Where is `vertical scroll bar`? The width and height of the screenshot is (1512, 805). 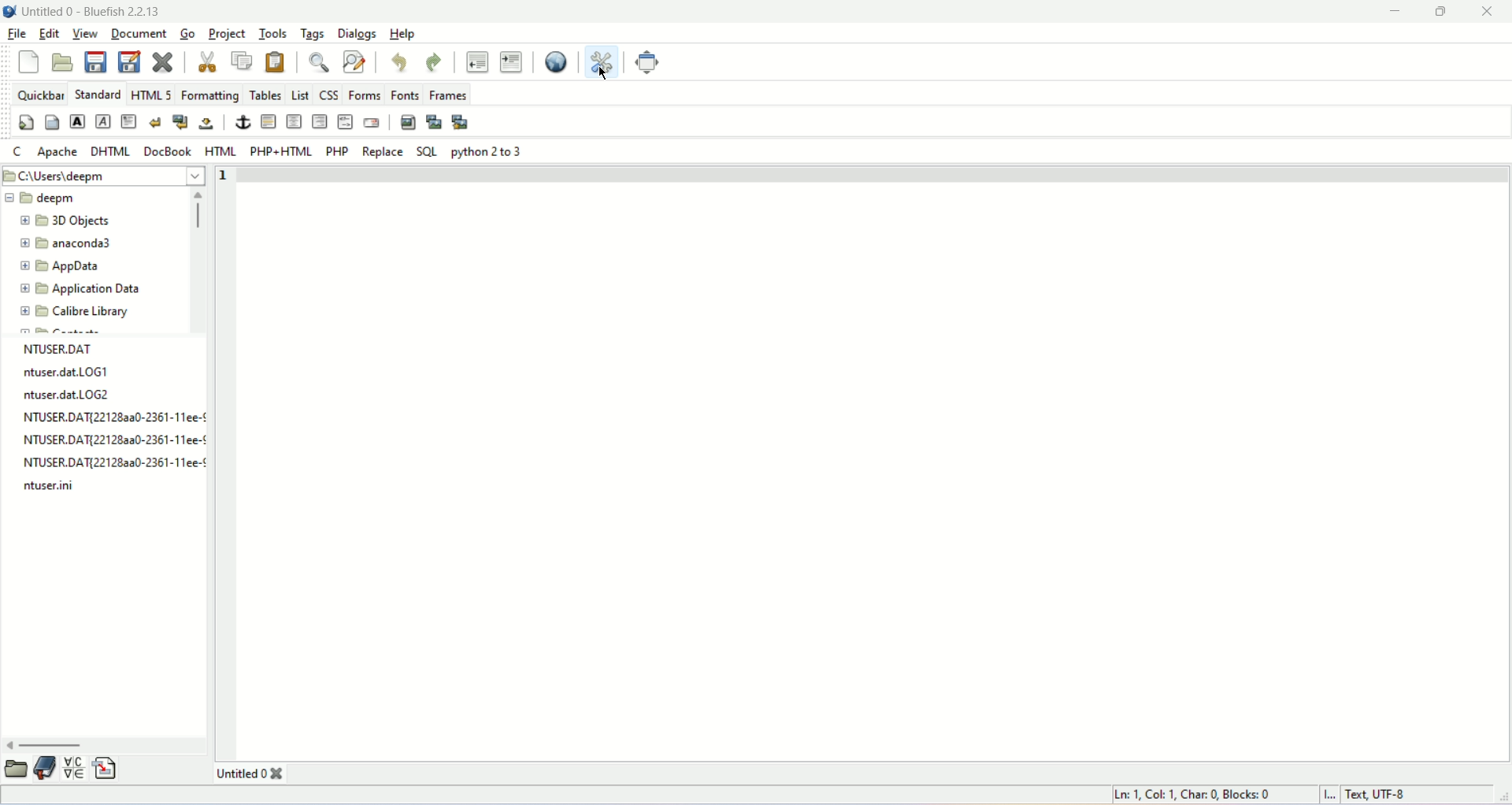
vertical scroll bar is located at coordinates (198, 210).